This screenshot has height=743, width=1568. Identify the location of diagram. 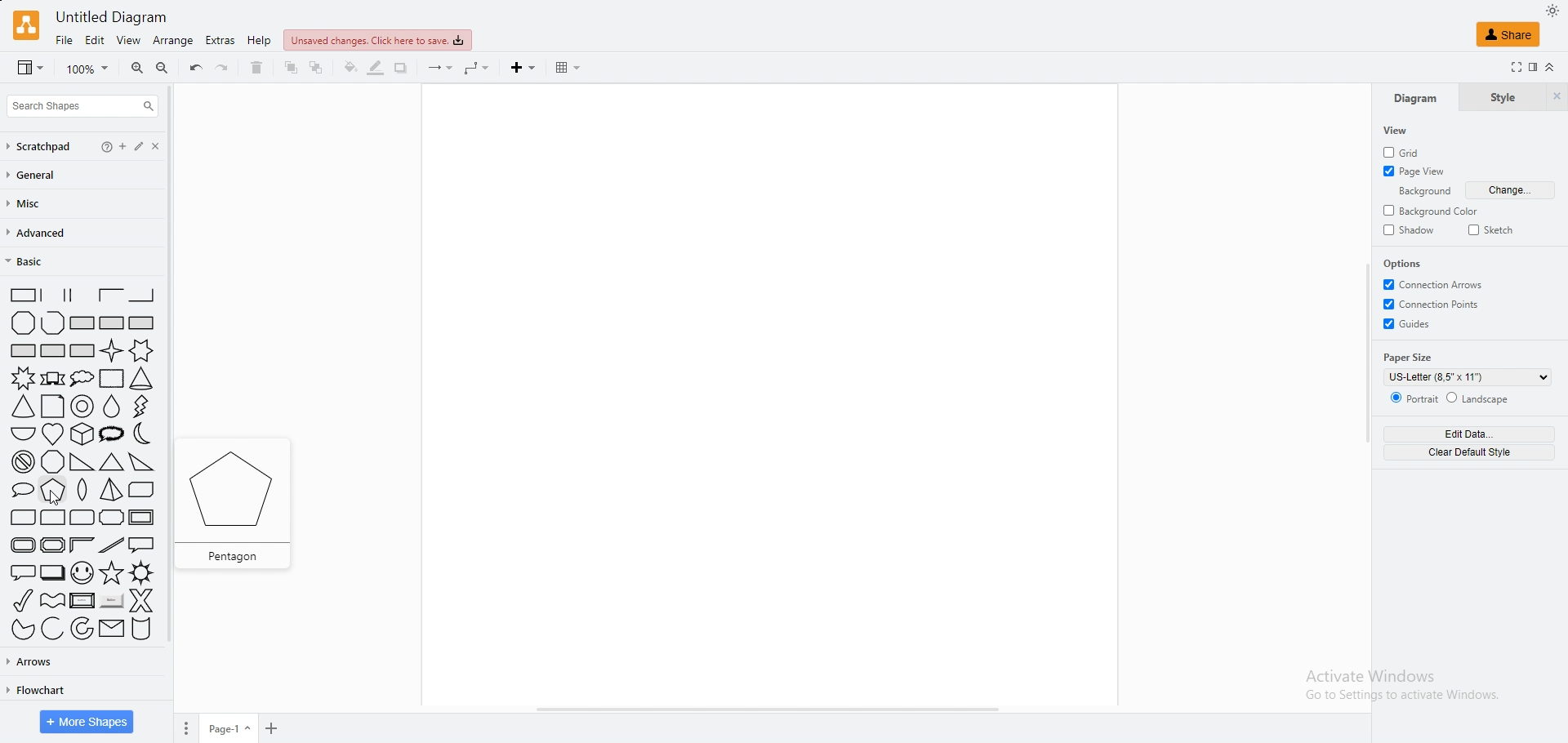
(1415, 98).